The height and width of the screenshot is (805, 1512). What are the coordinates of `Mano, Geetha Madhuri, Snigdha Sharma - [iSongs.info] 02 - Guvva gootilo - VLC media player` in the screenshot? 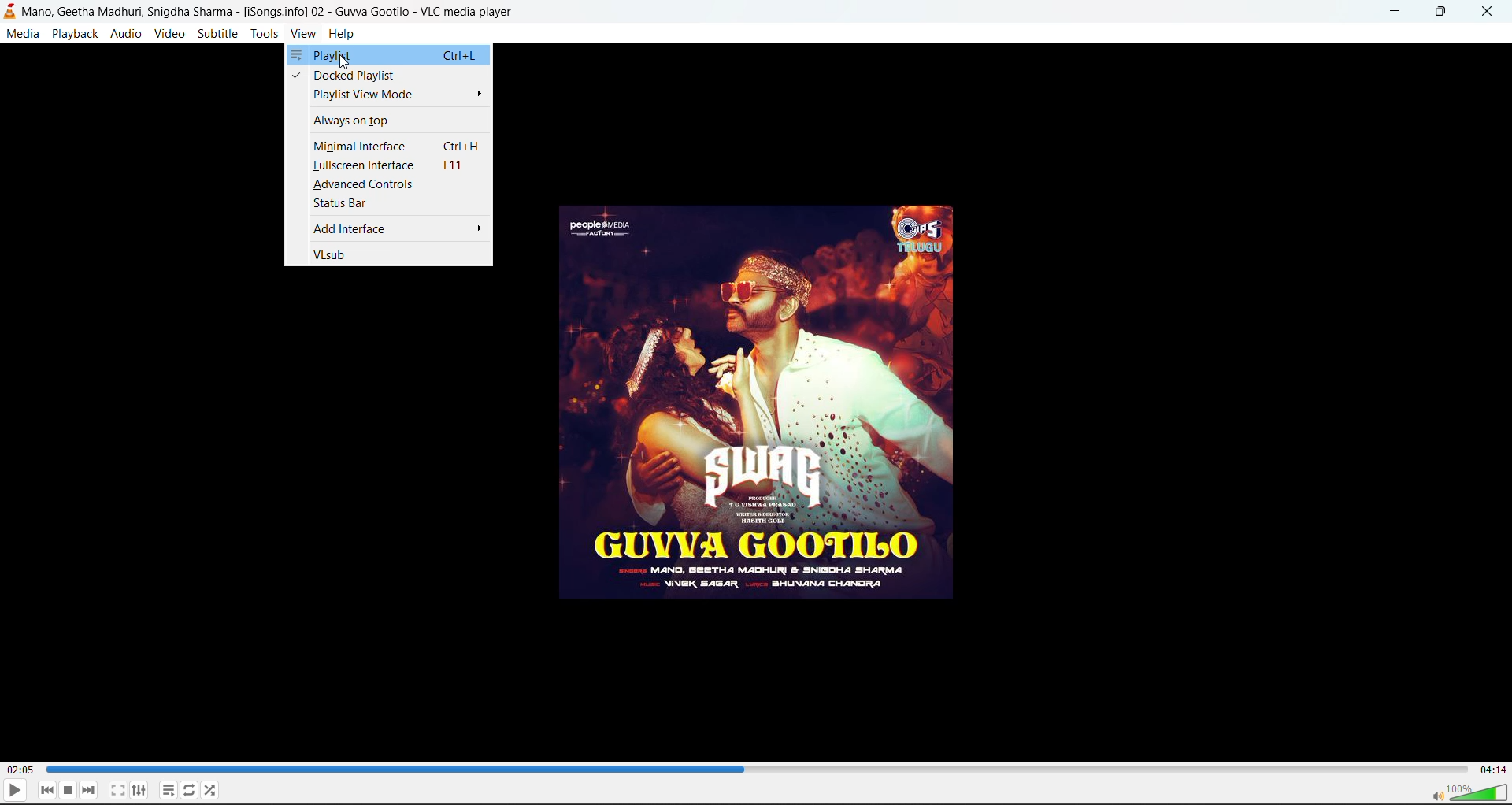 It's located at (317, 11).